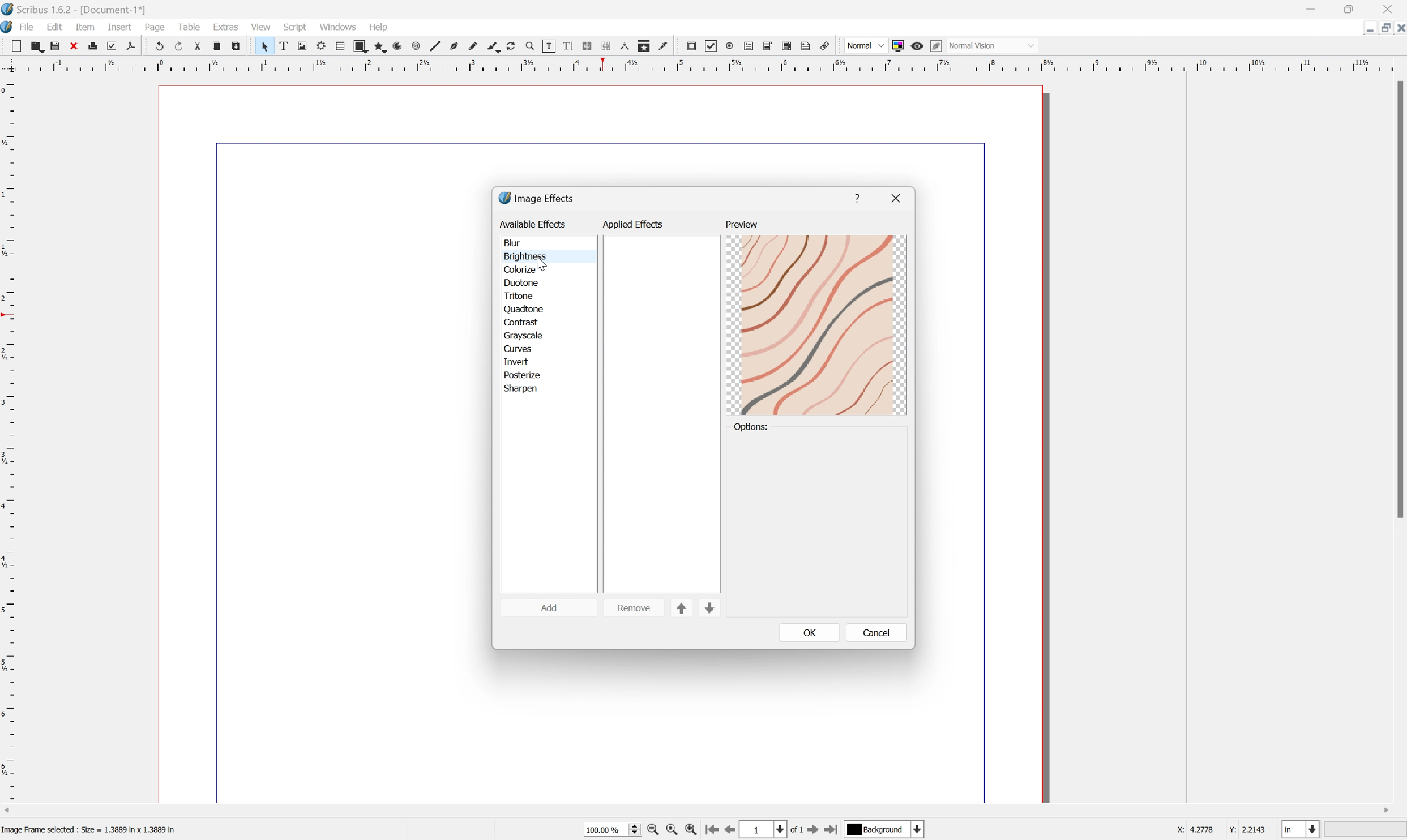 This screenshot has height=840, width=1407. Describe the element at coordinates (857, 198) in the screenshot. I see `help` at that location.